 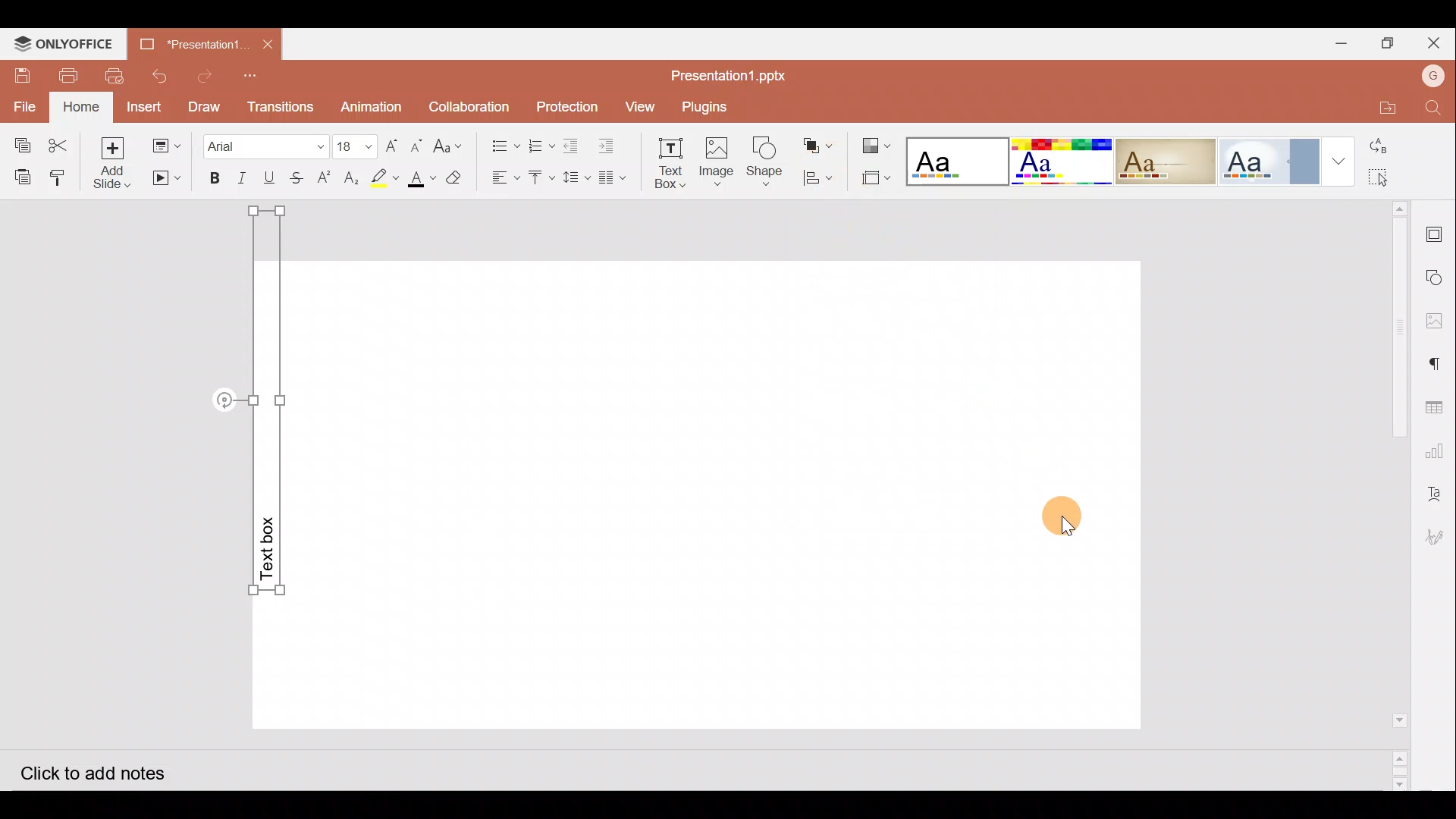 I want to click on Presentation slide, so click(x=737, y=494).